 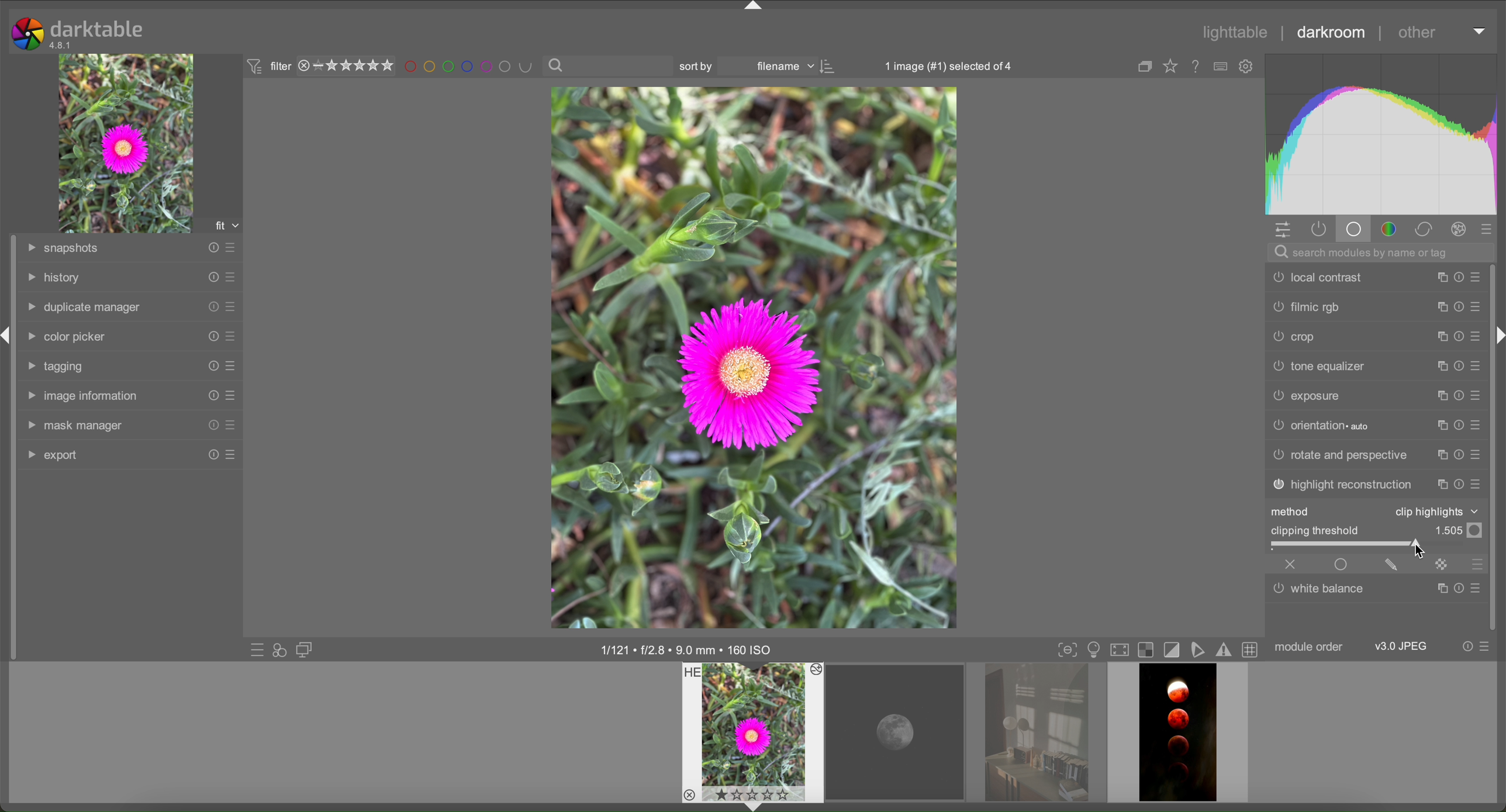 I want to click on presets, so click(x=231, y=247).